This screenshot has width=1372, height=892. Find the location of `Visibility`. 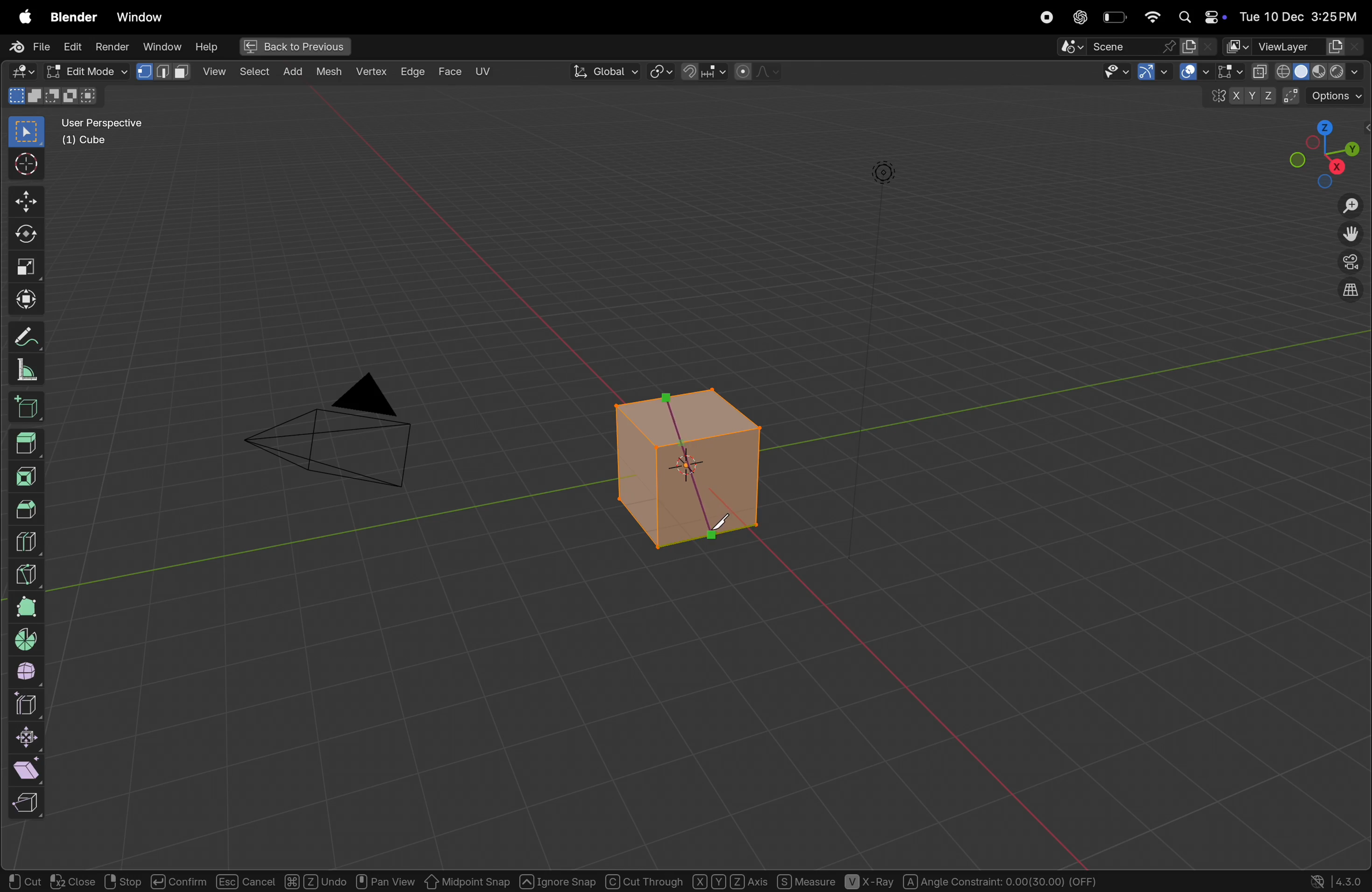

Visibility is located at coordinates (1128, 73).